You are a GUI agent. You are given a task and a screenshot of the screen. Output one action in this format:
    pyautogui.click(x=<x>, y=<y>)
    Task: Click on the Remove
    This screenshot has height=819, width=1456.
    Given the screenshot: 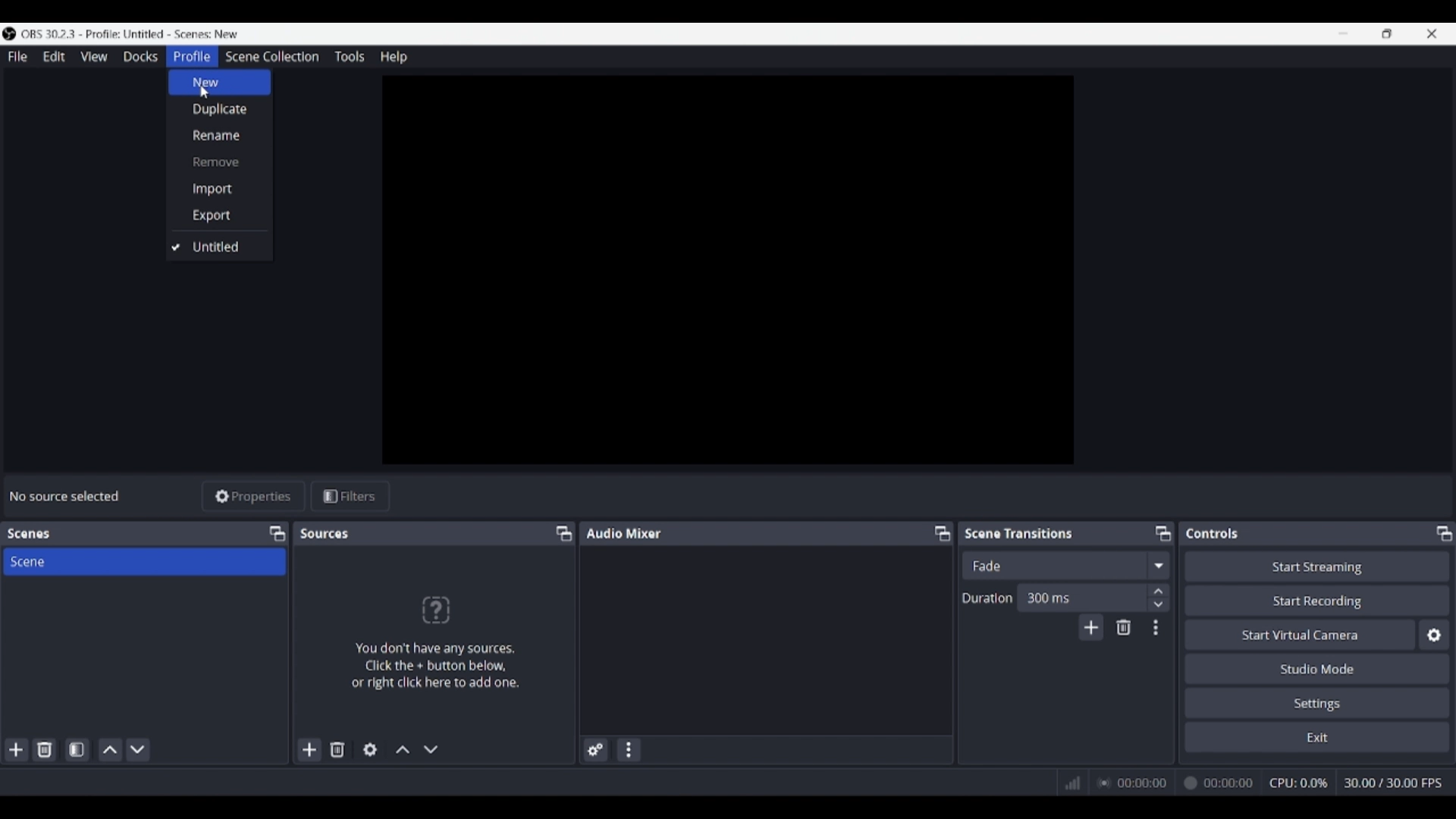 What is the action you would take?
    pyautogui.click(x=219, y=162)
    